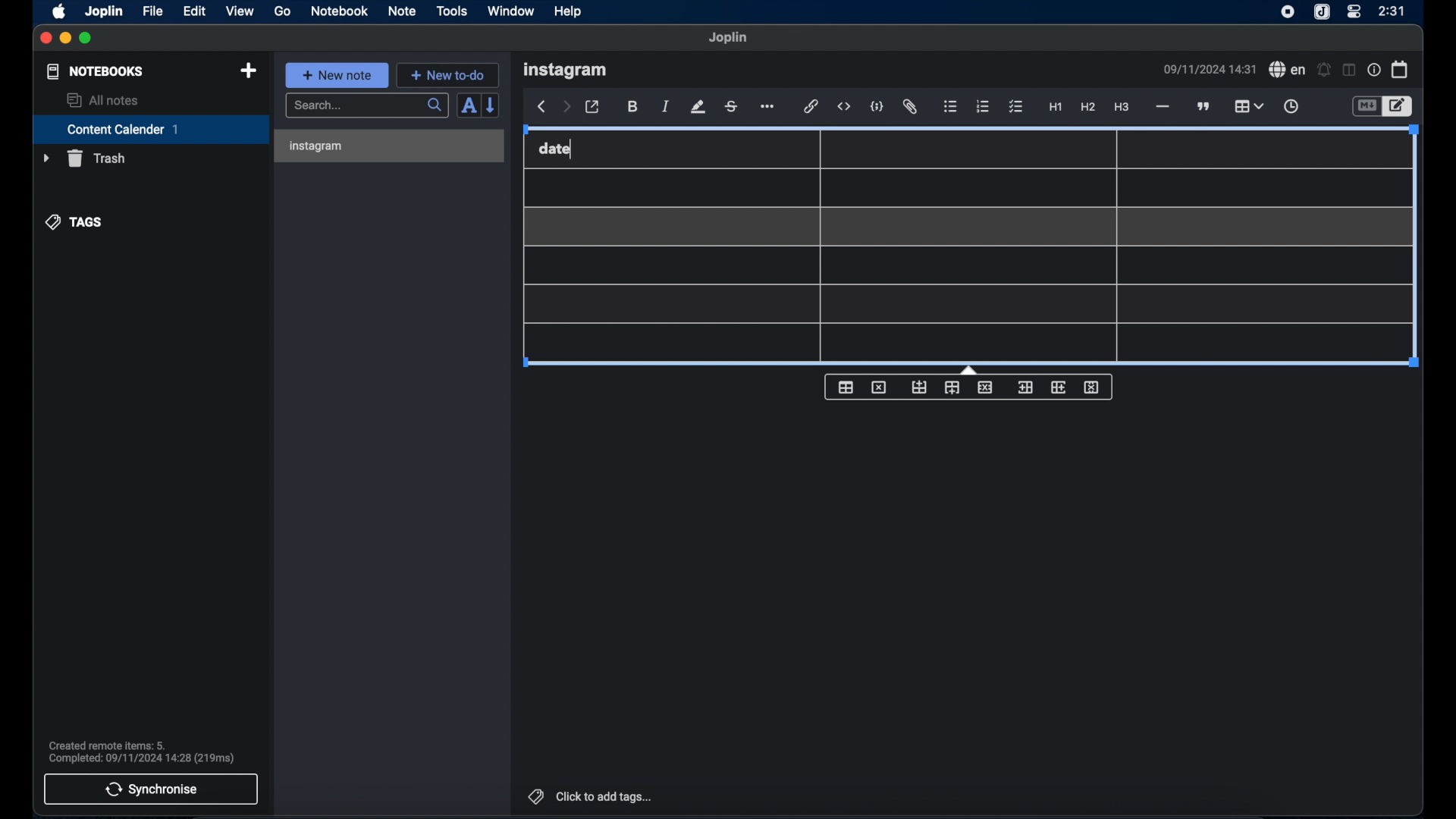 This screenshot has height=819, width=1456. Describe the element at coordinates (1056, 108) in the screenshot. I see `heading 1` at that location.